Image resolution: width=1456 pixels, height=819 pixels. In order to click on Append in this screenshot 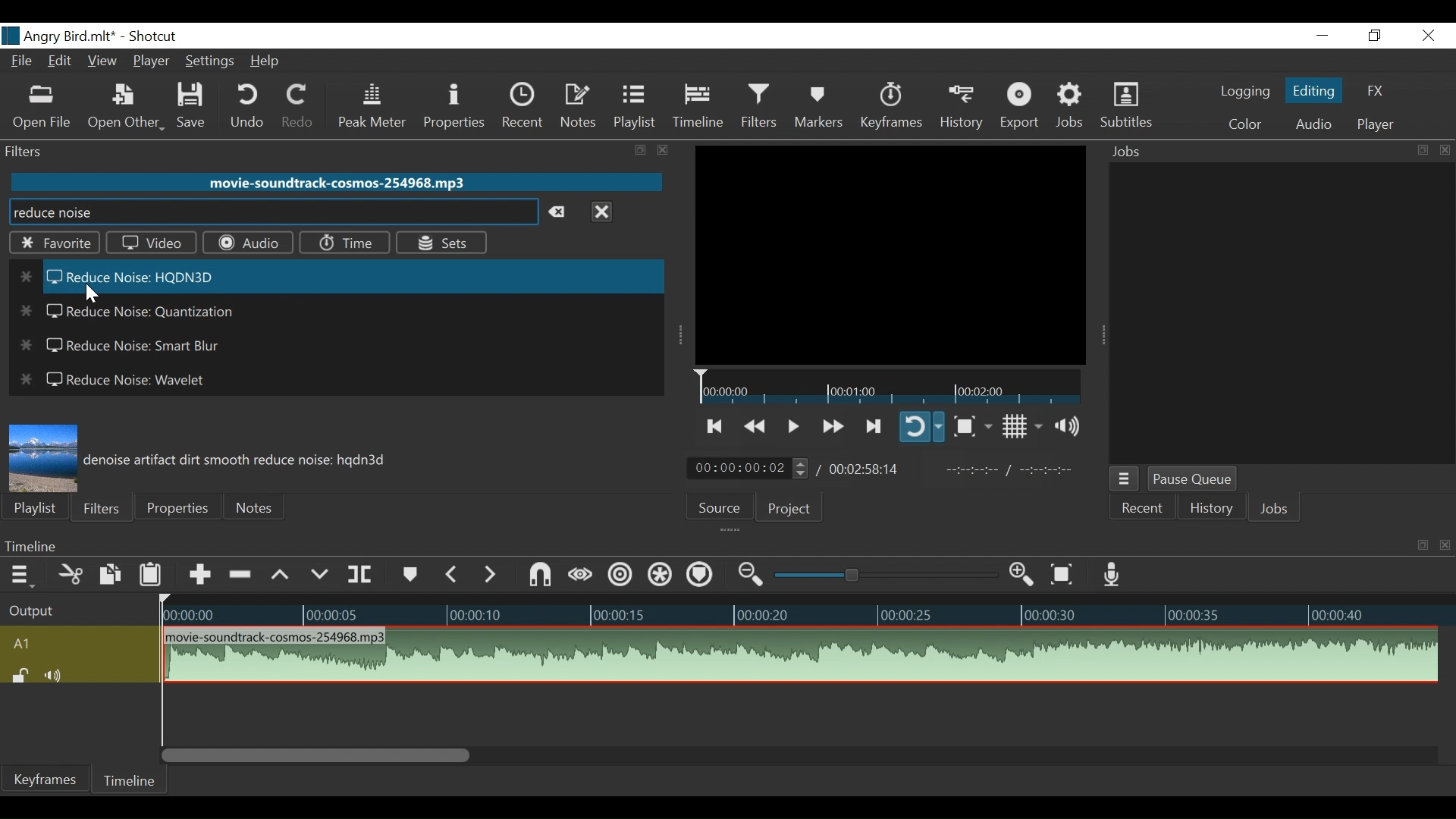, I will do `click(199, 573)`.